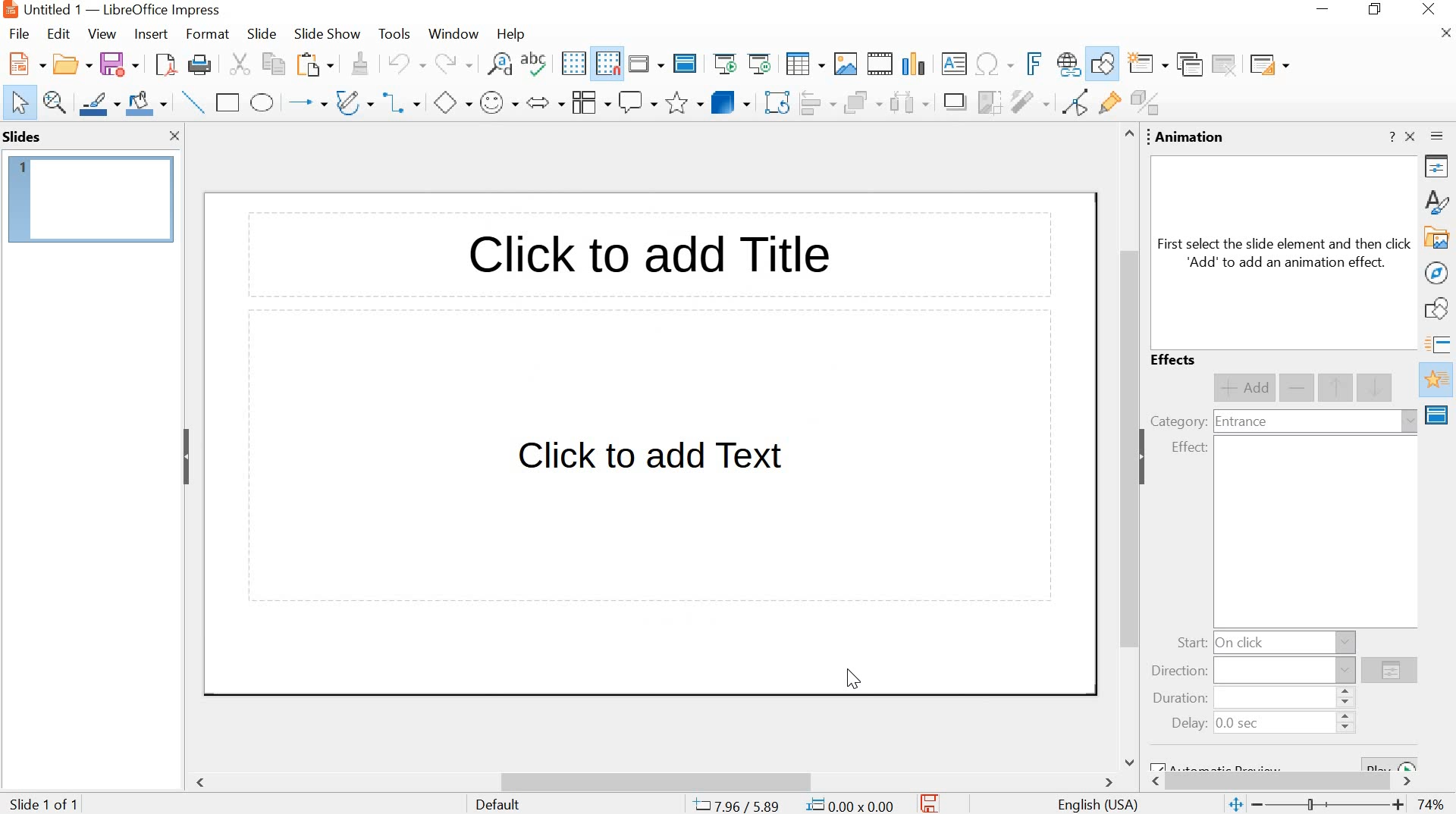 The image size is (1456, 814). What do you see at coordinates (1239, 725) in the screenshot?
I see `0.0 sec` at bounding box center [1239, 725].